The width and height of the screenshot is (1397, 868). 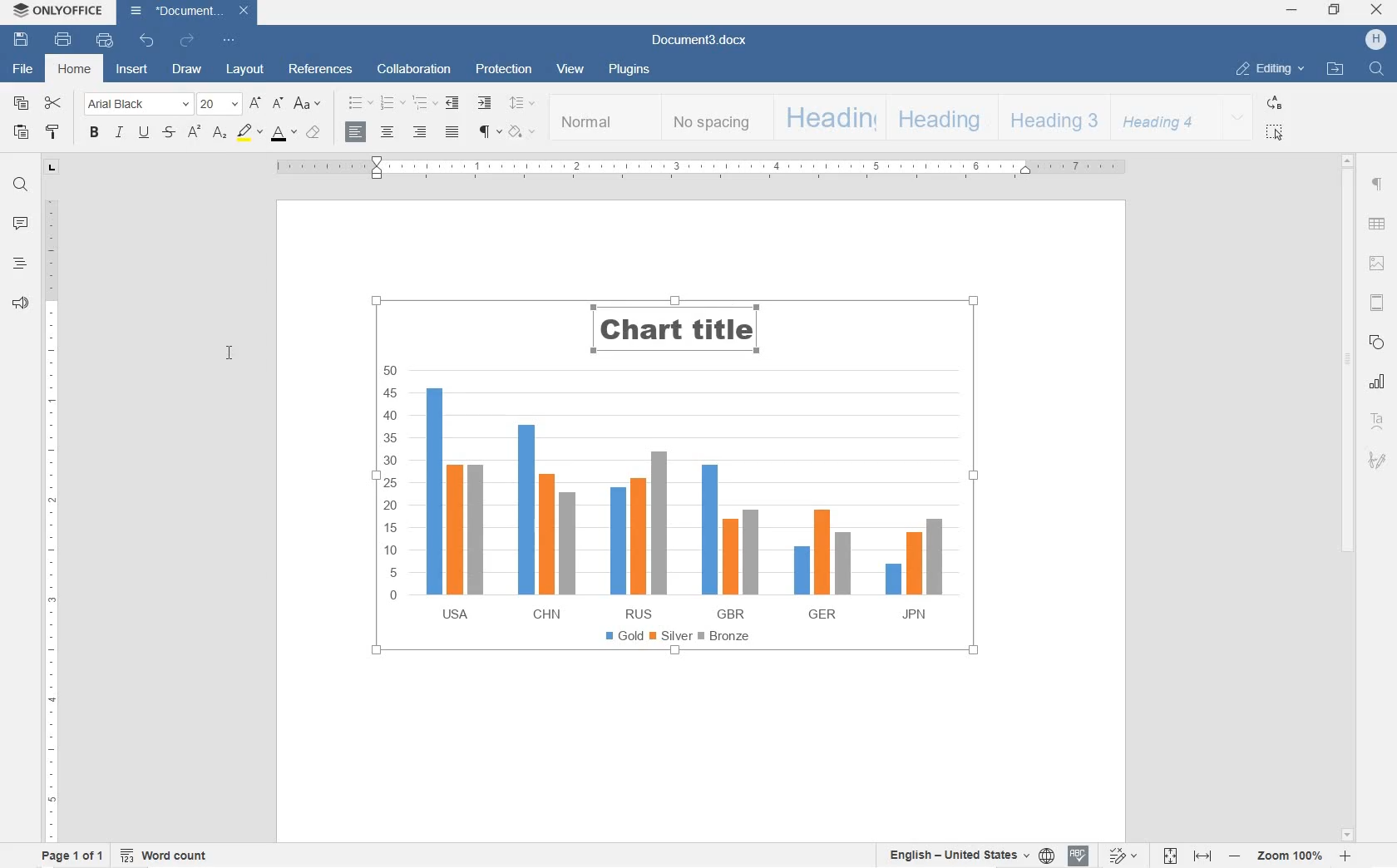 What do you see at coordinates (486, 104) in the screenshot?
I see `INCREASE INDENT` at bounding box center [486, 104].